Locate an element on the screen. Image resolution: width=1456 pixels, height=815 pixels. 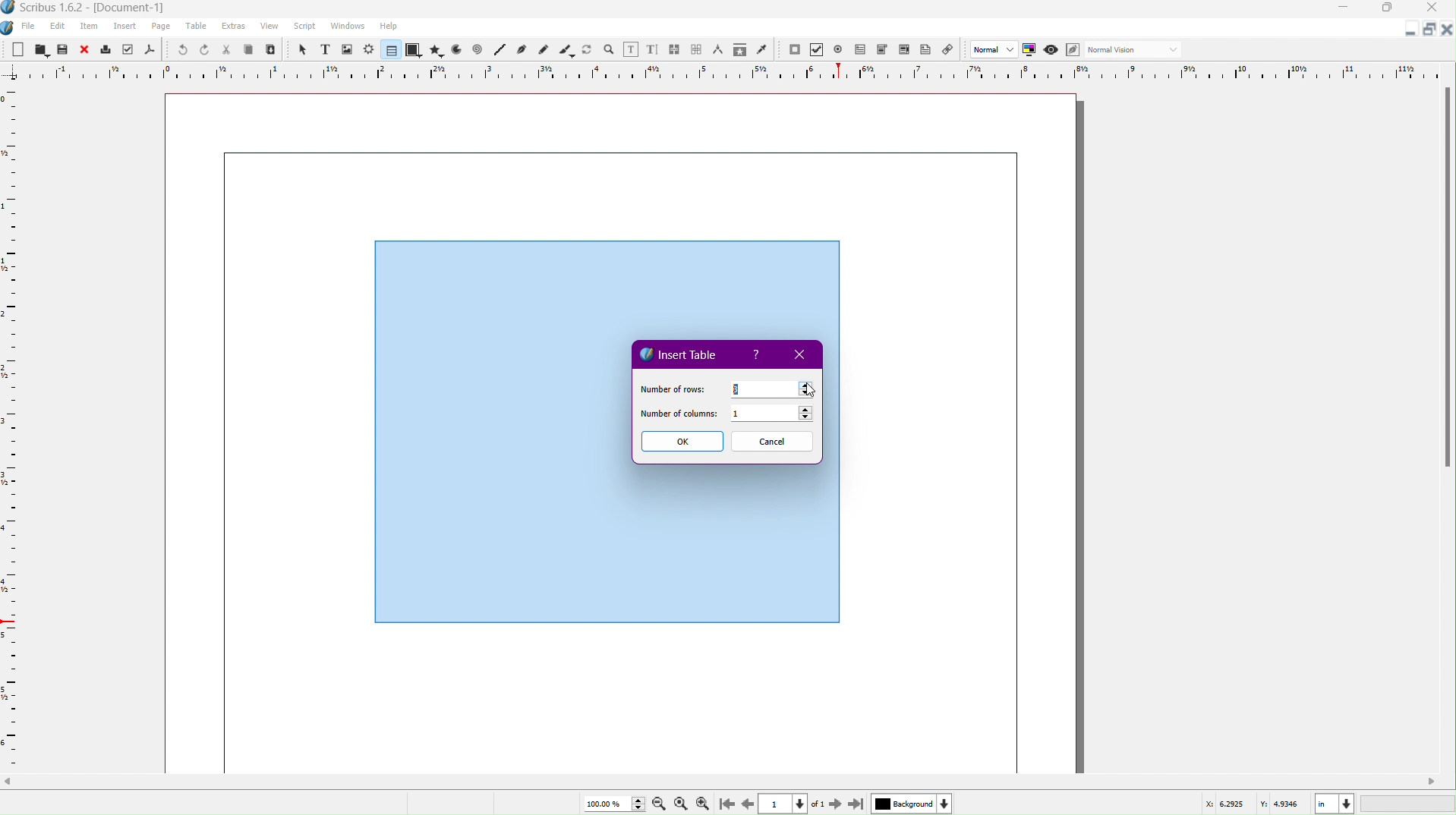
Text Frame is located at coordinates (324, 49).